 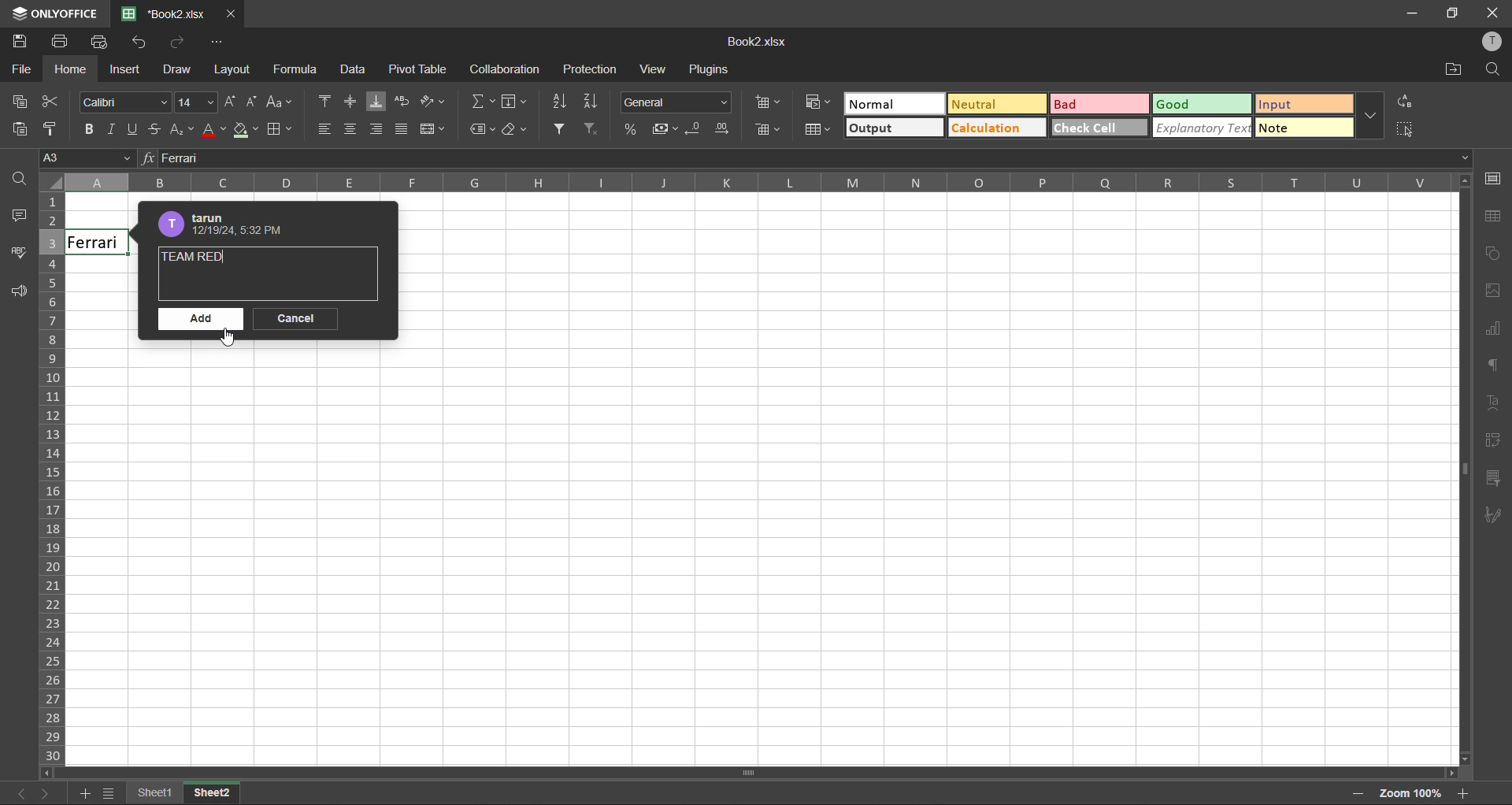 What do you see at coordinates (352, 72) in the screenshot?
I see `data` at bounding box center [352, 72].